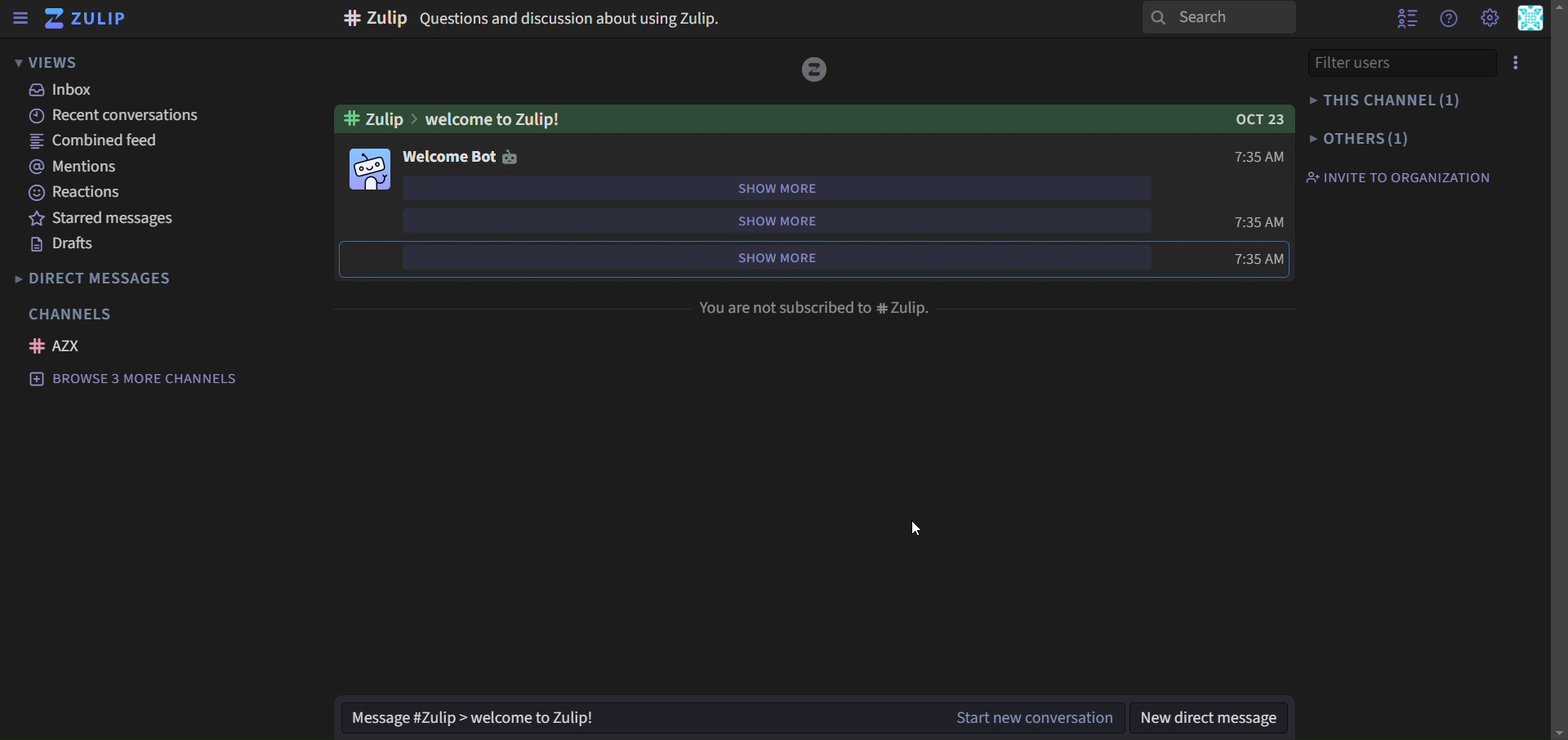  What do you see at coordinates (800, 220) in the screenshot?
I see `show more` at bounding box center [800, 220].